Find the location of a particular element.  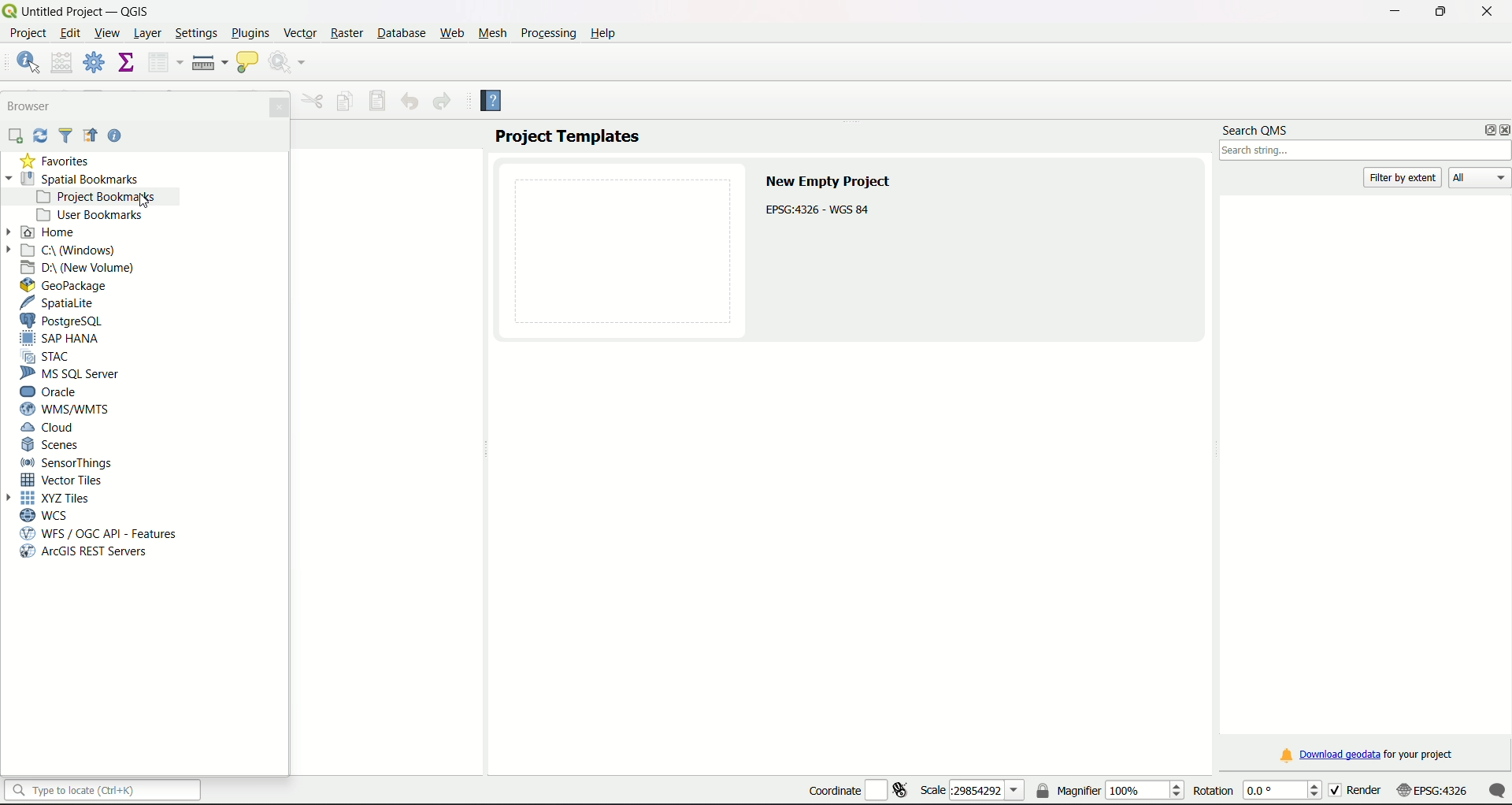

STAC is located at coordinates (50, 356).